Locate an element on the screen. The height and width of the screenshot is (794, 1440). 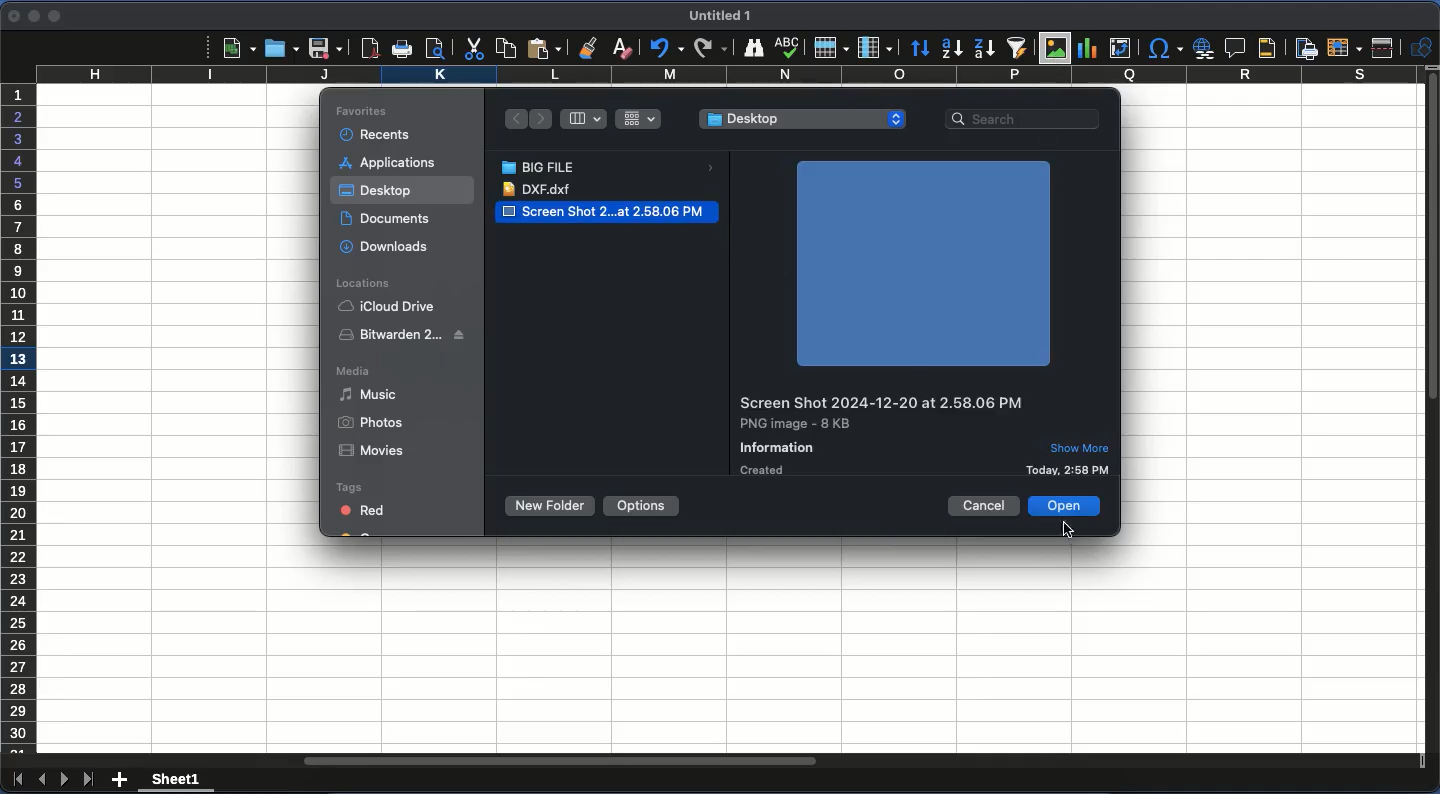
finder is located at coordinates (754, 47).